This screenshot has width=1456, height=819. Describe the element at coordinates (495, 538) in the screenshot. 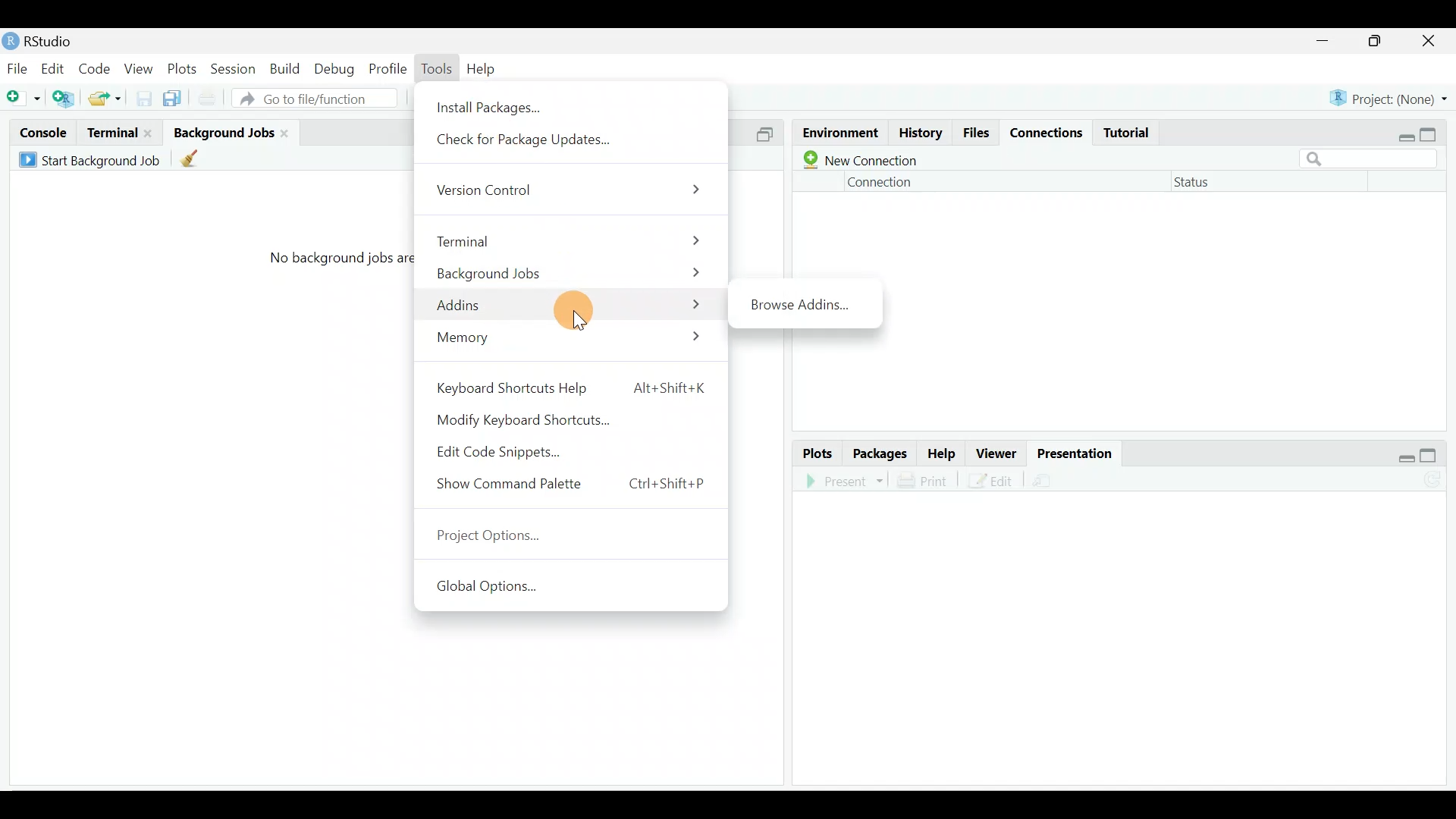

I see `Project Options...` at that location.